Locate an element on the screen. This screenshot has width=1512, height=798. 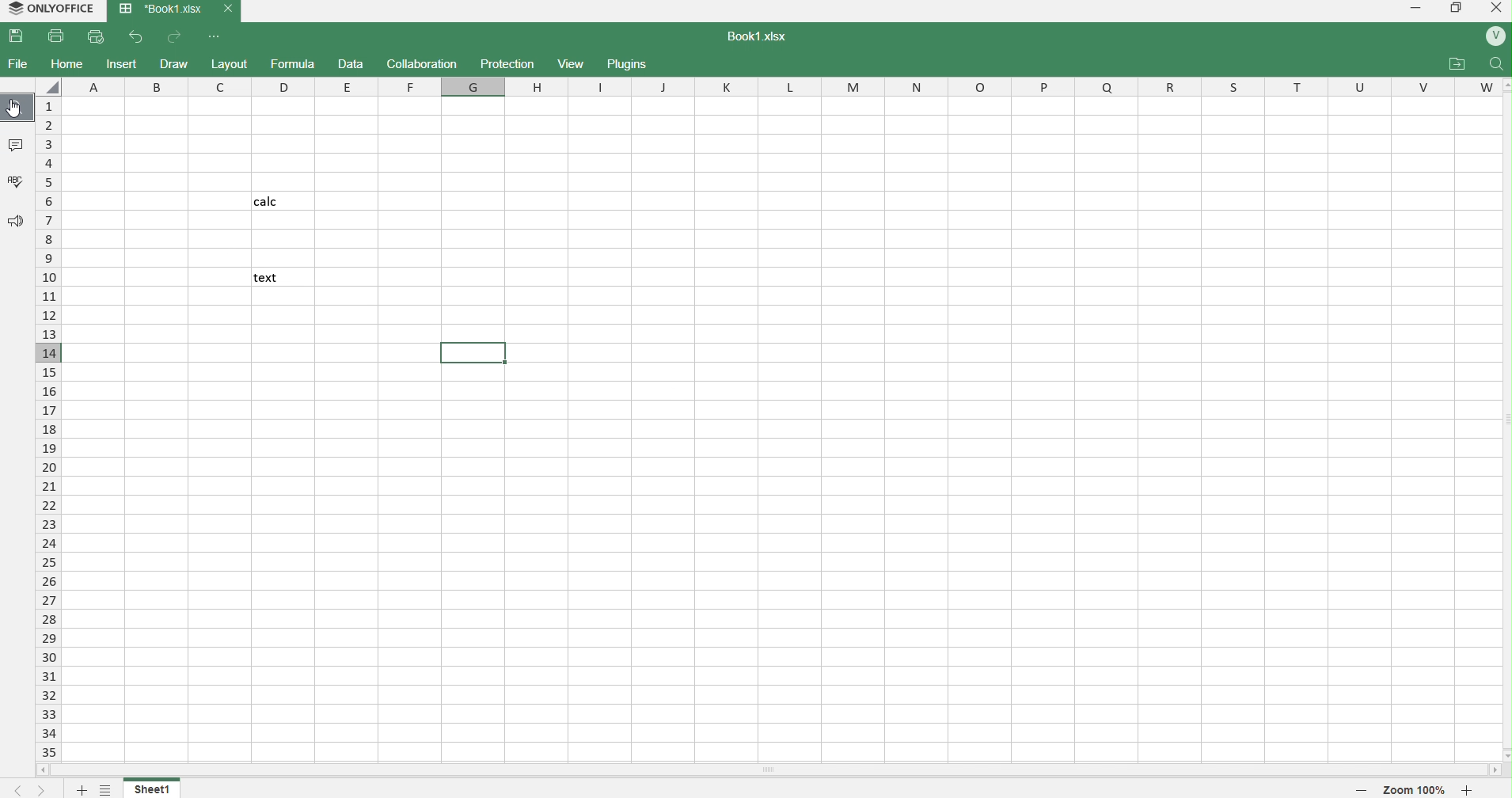
collaboration is located at coordinates (424, 63).